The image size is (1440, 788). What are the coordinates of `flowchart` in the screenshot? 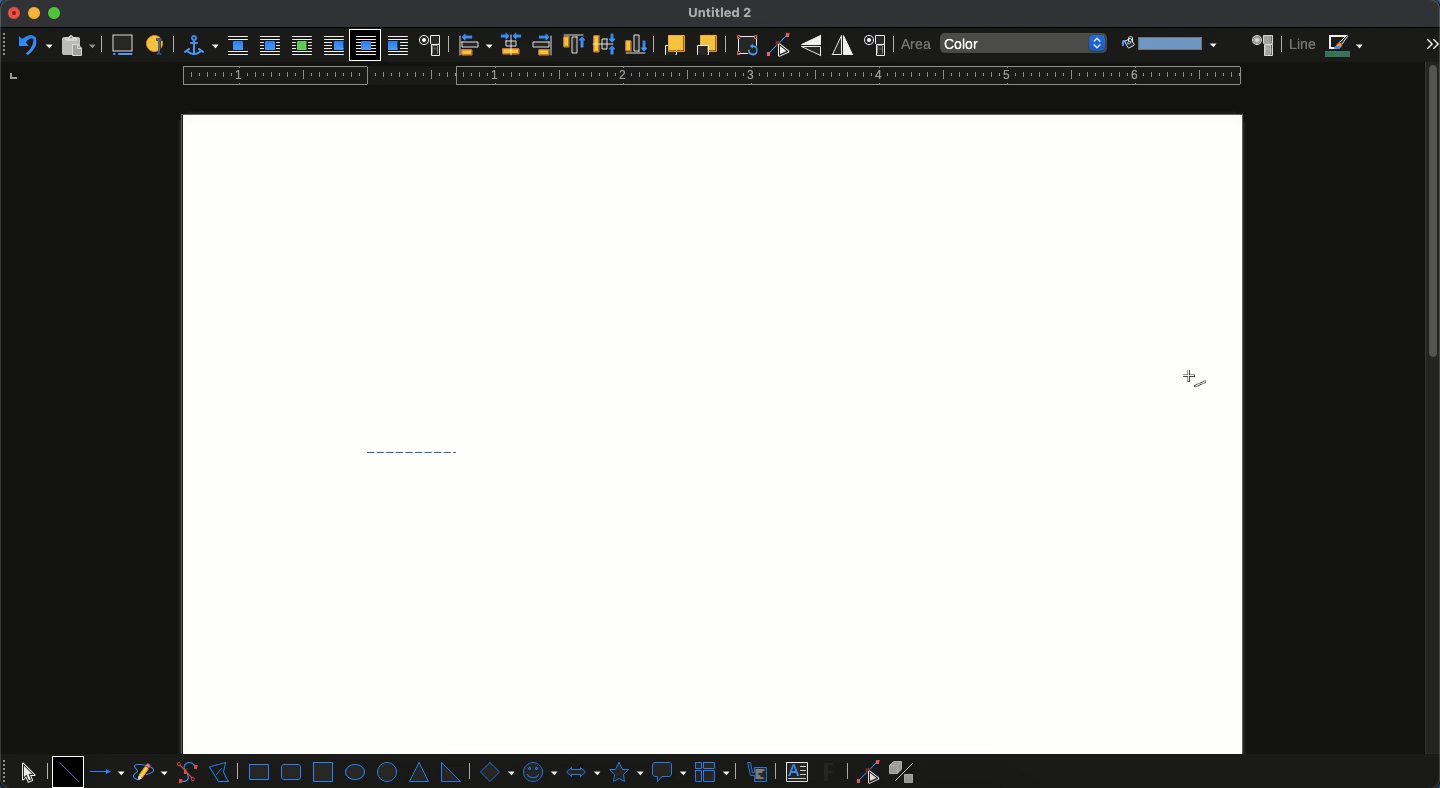 It's located at (714, 771).